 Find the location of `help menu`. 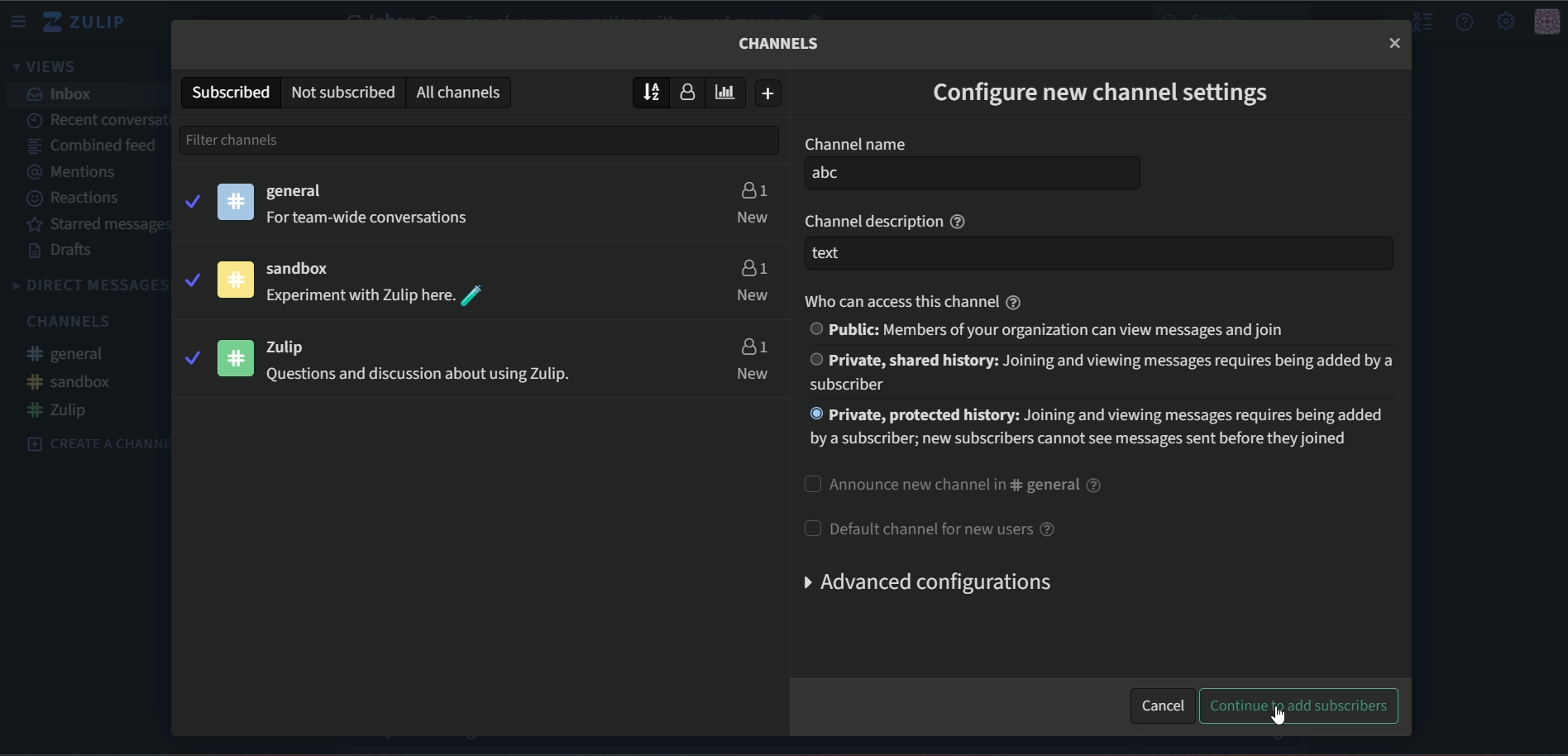

help menu is located at coordinates (1465, 22).